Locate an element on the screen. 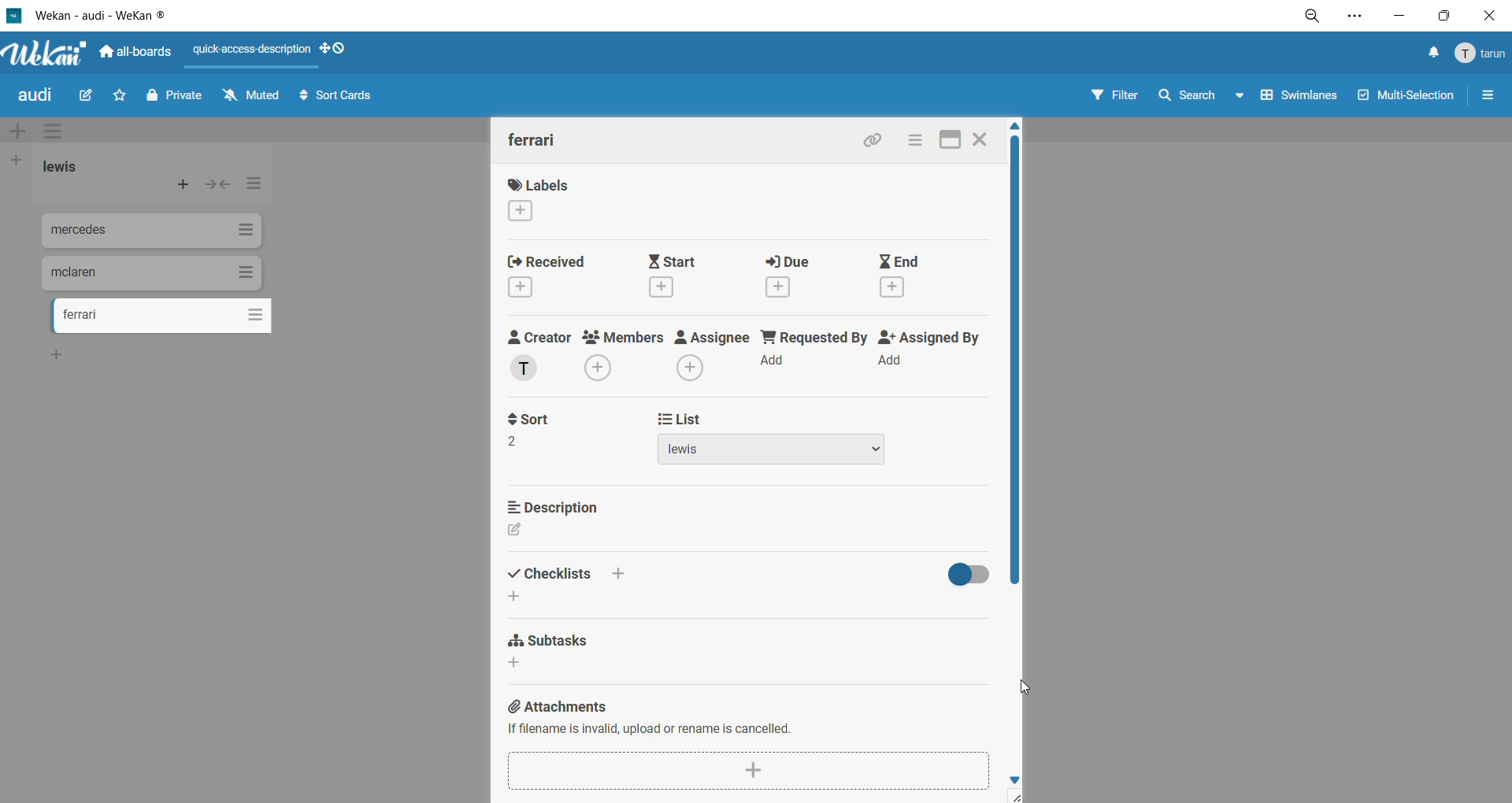 This screenshot has height=803, width=1512. multiselections is located at coordinates (1403, 98).